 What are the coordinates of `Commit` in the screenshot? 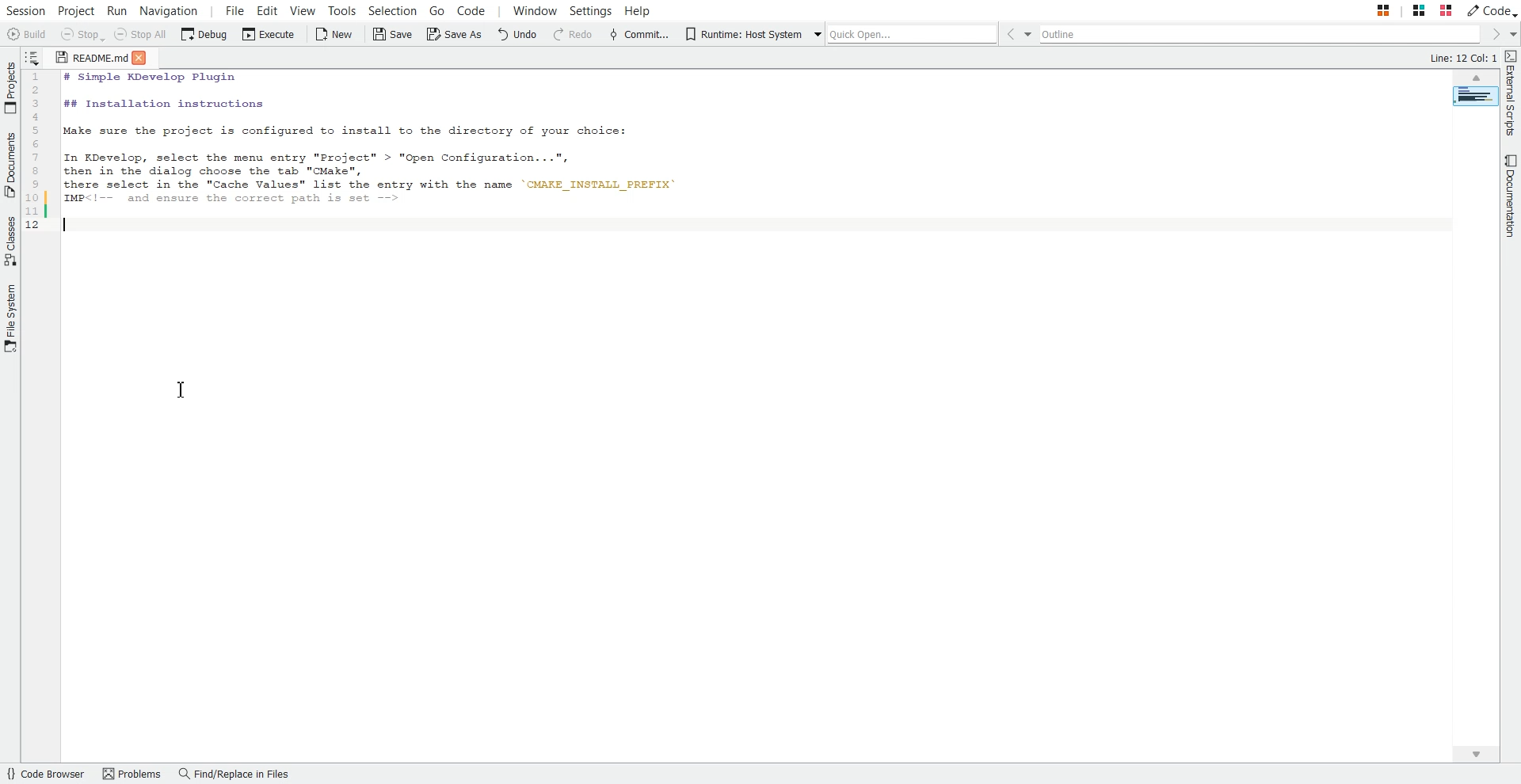 It's located at (639, 35).